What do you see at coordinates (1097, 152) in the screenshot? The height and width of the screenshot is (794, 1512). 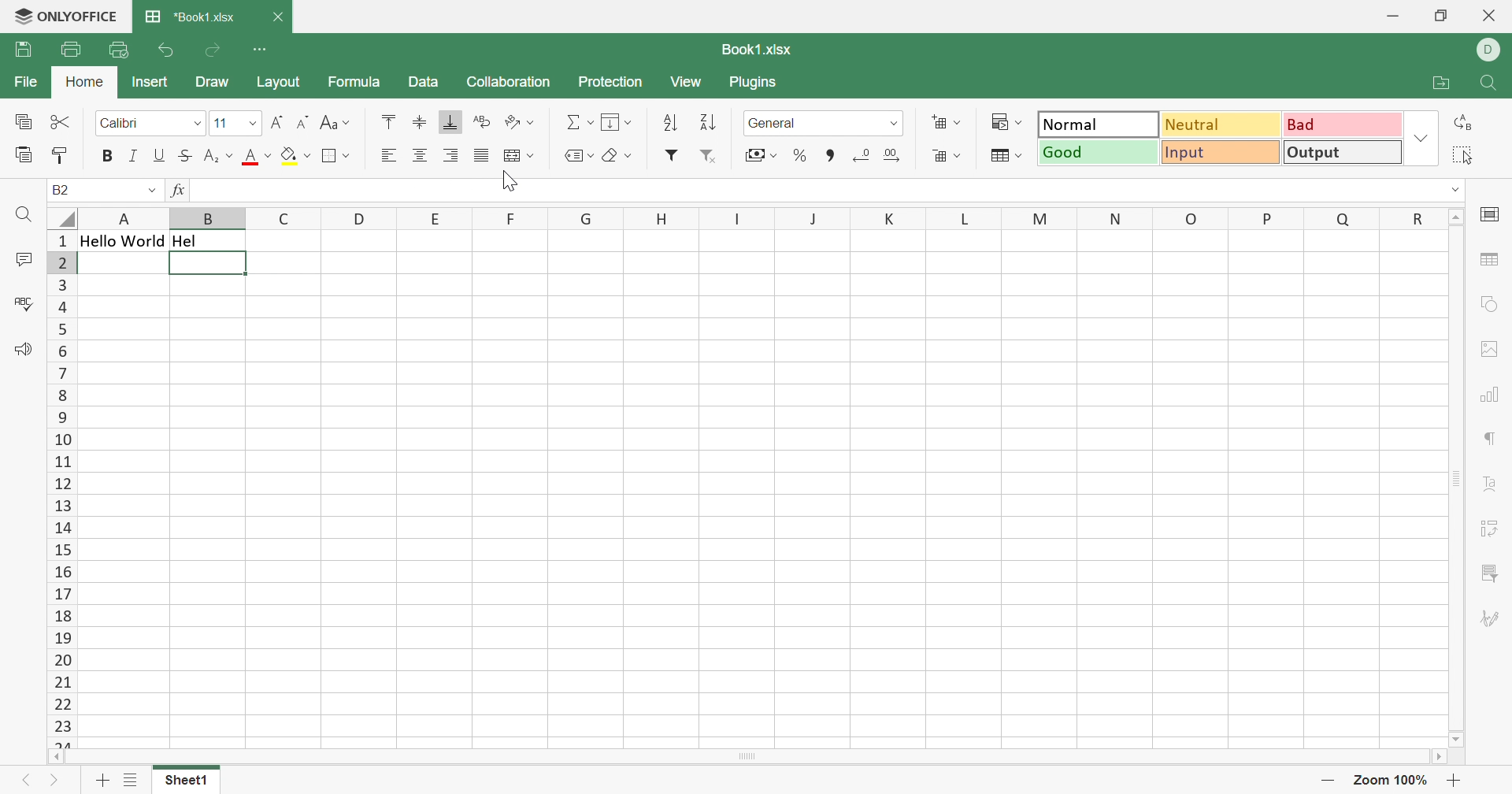 I see `Good` at bounding box center [1097, 152].